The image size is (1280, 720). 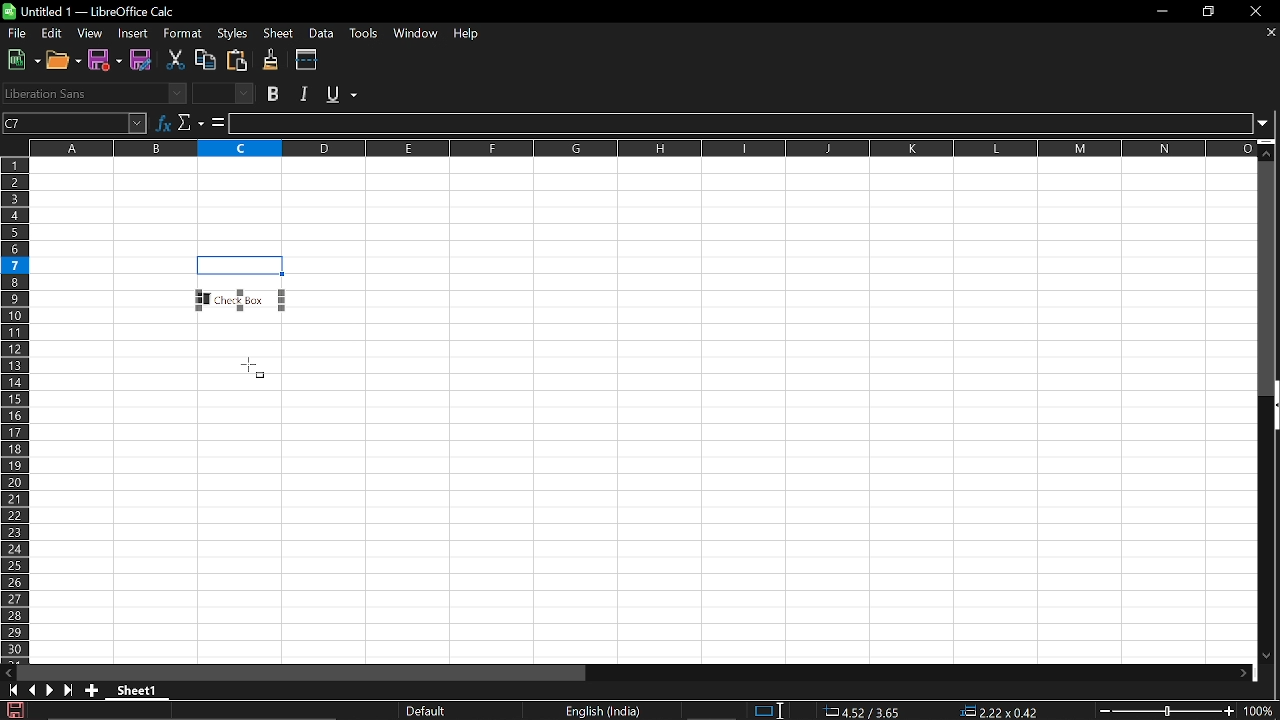 I want to click on Format, so click(x=179, y=34).